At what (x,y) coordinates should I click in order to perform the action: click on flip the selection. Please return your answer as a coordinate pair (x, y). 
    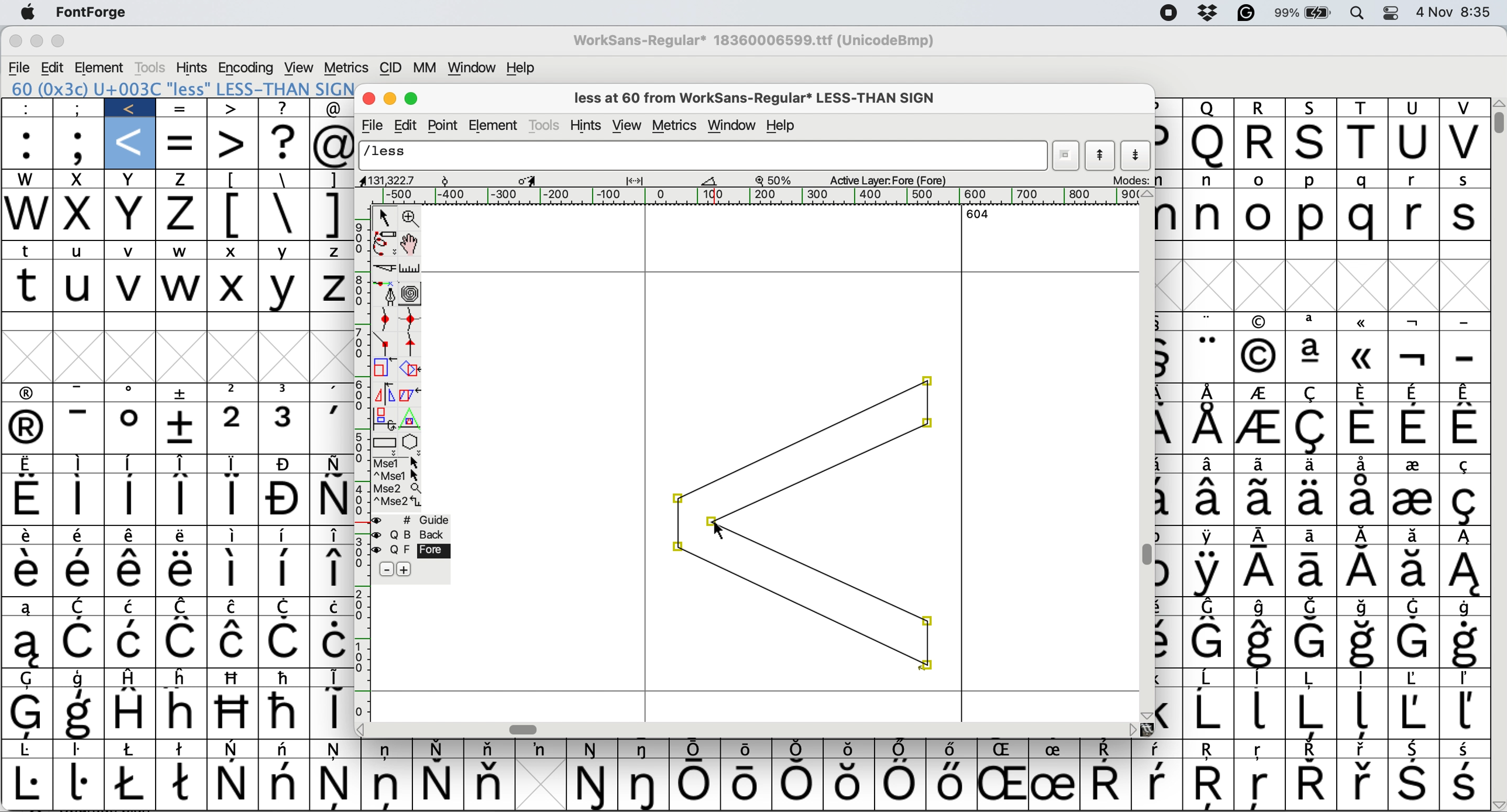
    Looking at the image, I should click on (385, 392).